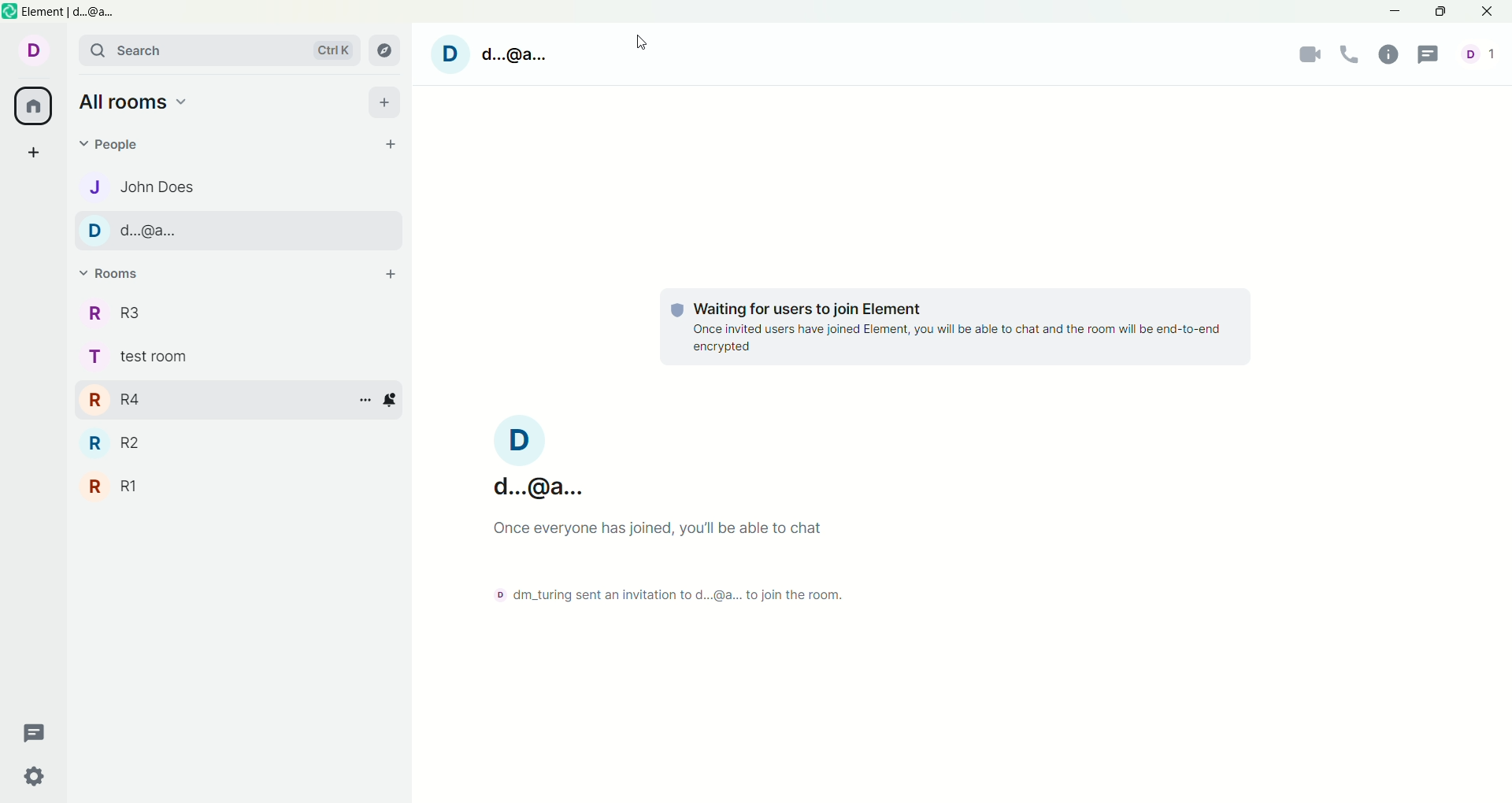 The image size is (1512, 803). Describe the element at coordinates (35, 775) in the screenshot. I see `quick settings` at that location.